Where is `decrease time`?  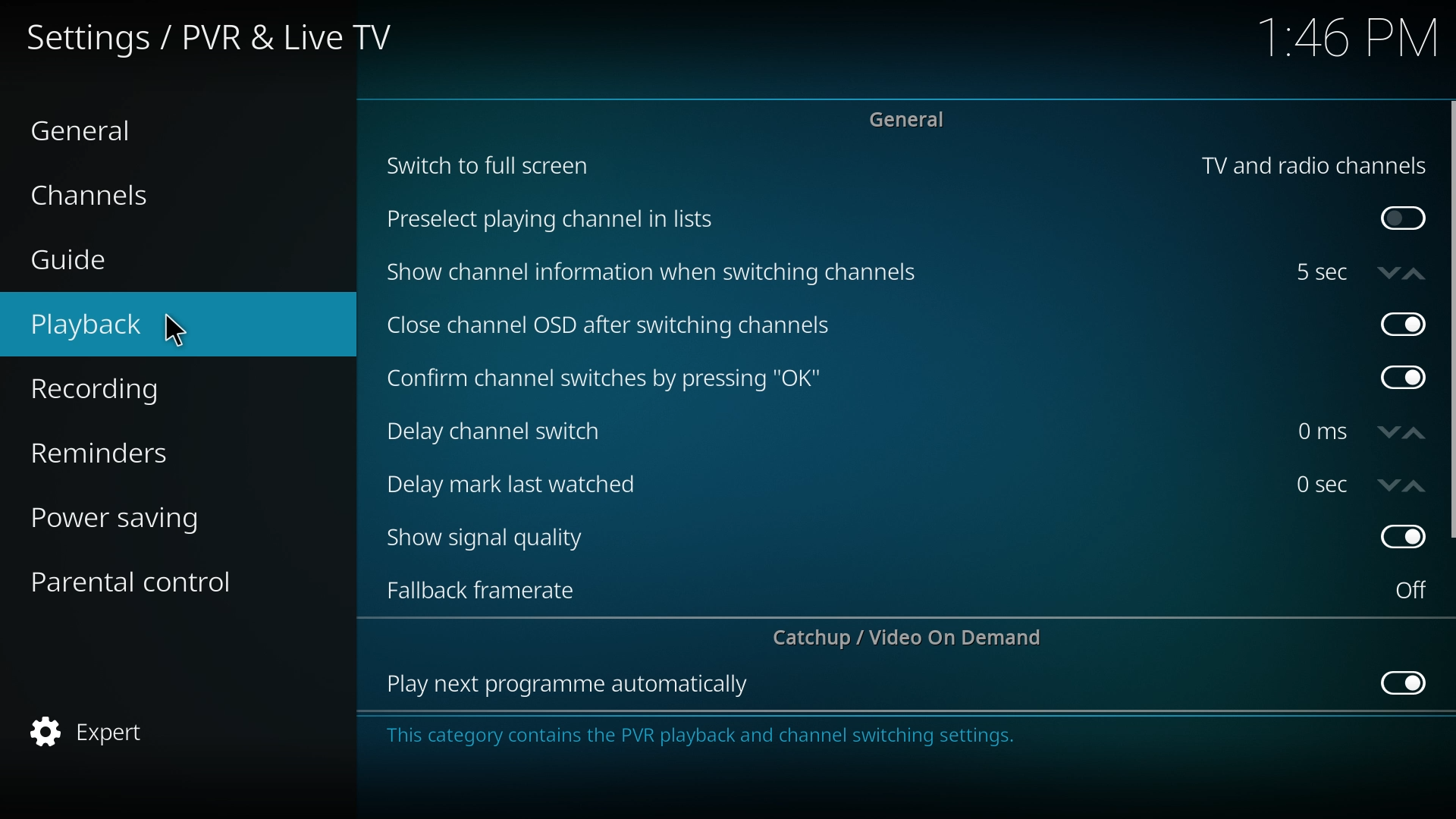
decrease time is located at coordinates (1390, 433).